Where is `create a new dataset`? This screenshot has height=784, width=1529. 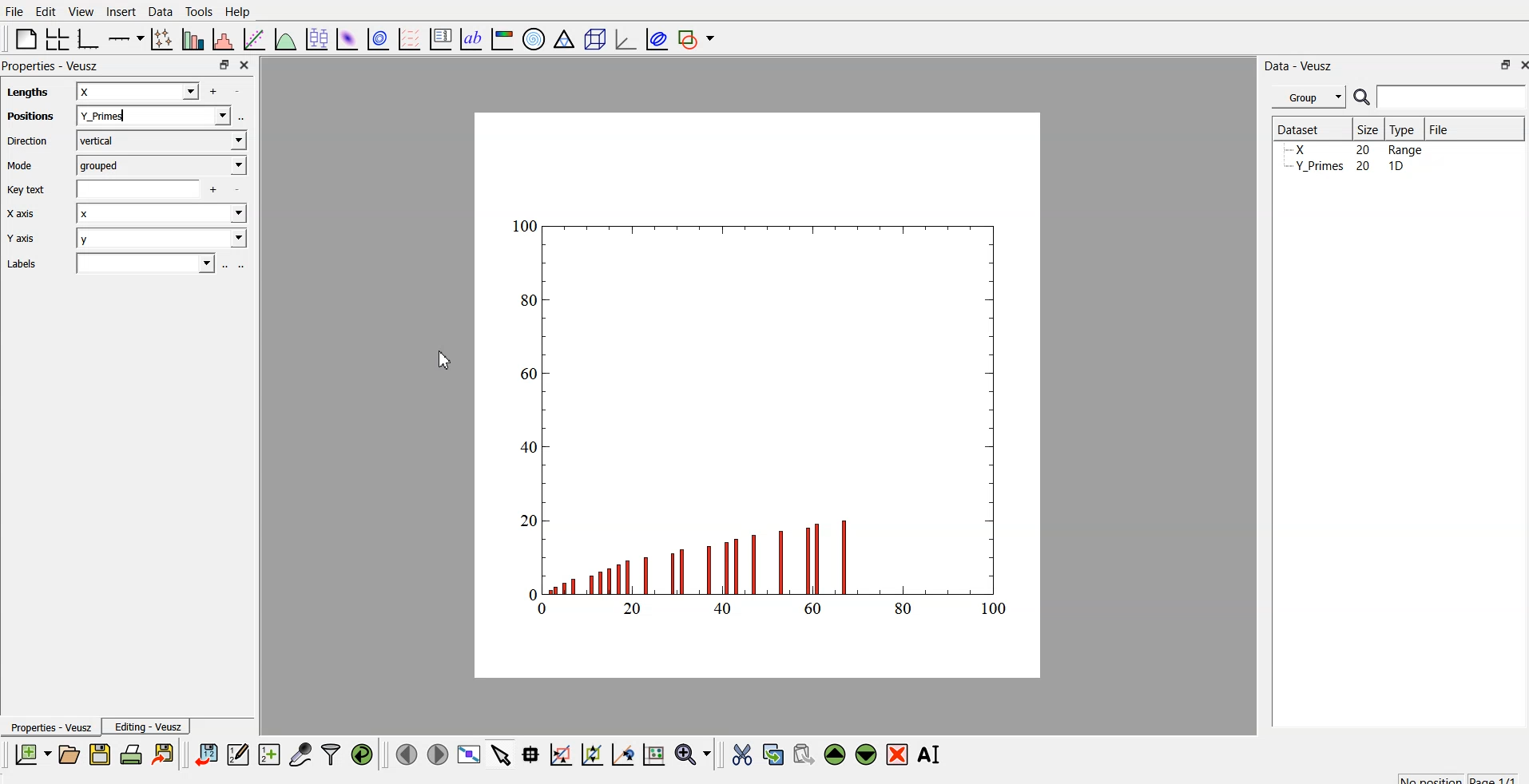
create a new dataset is located at coordinates (269, 756).